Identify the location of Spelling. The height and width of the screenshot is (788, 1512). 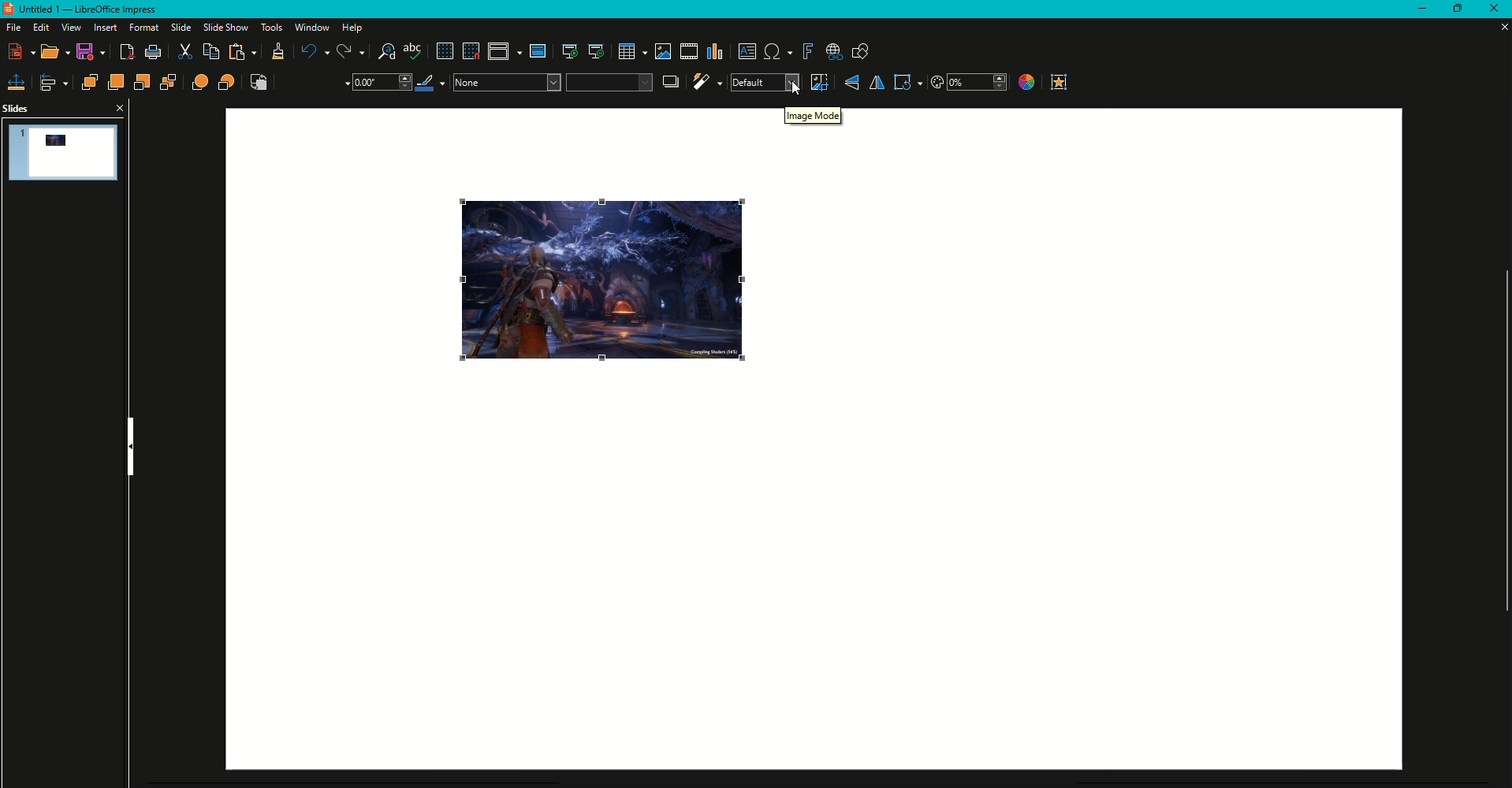
(414, 52).